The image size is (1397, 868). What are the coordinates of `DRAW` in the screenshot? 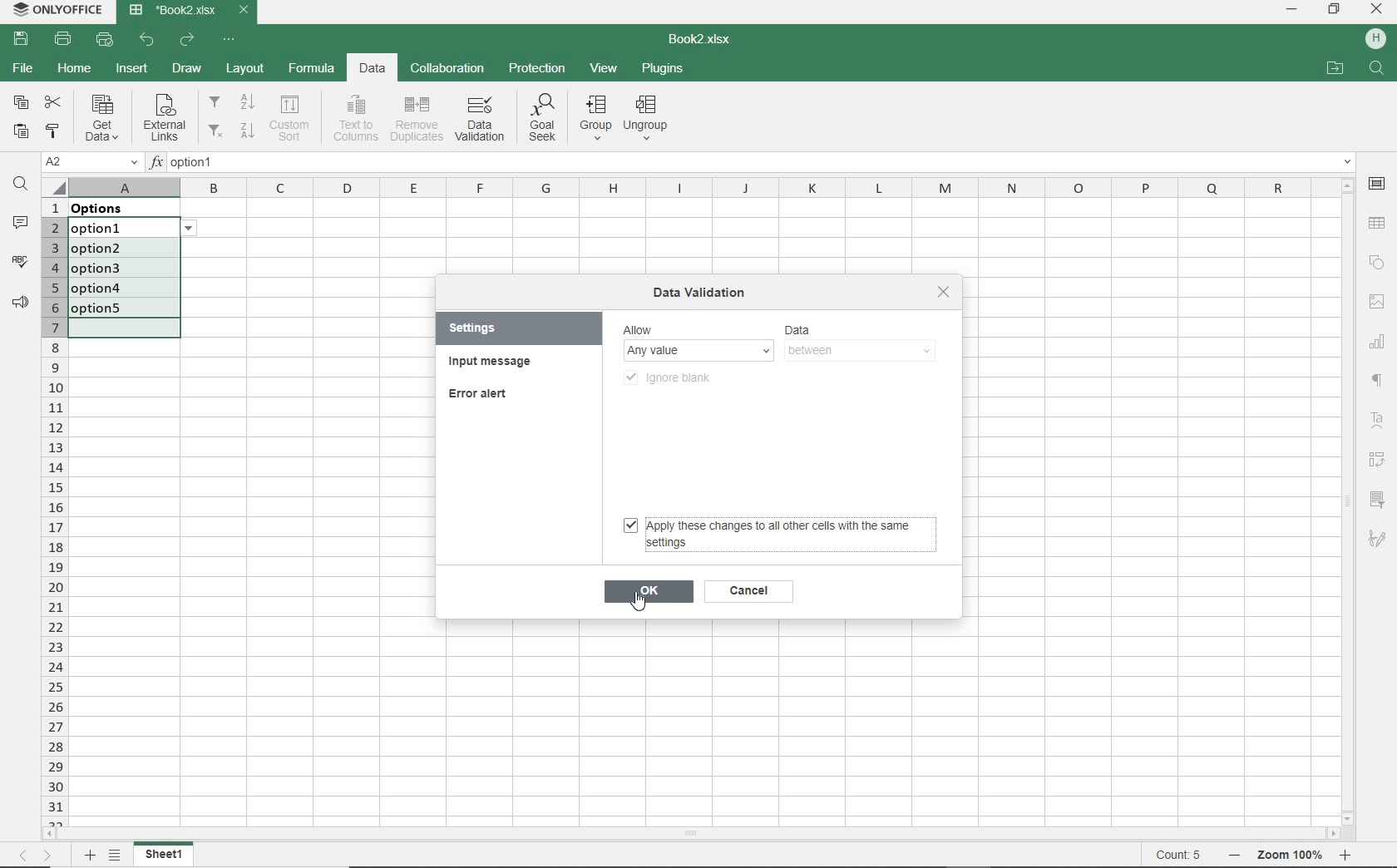 It's located at (187, 68).